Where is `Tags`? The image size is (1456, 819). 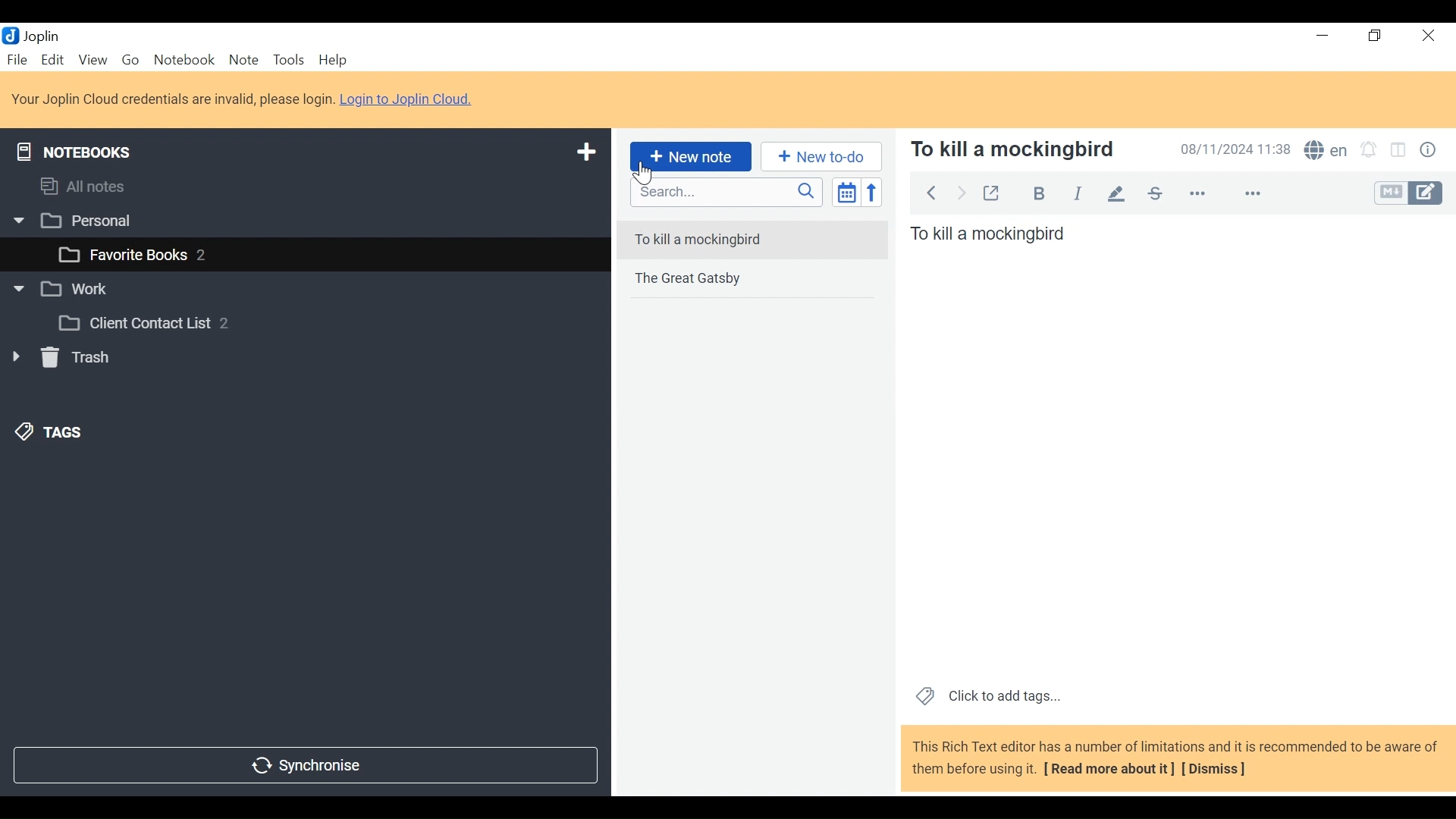
Tags is located at coordinates (52, 431).